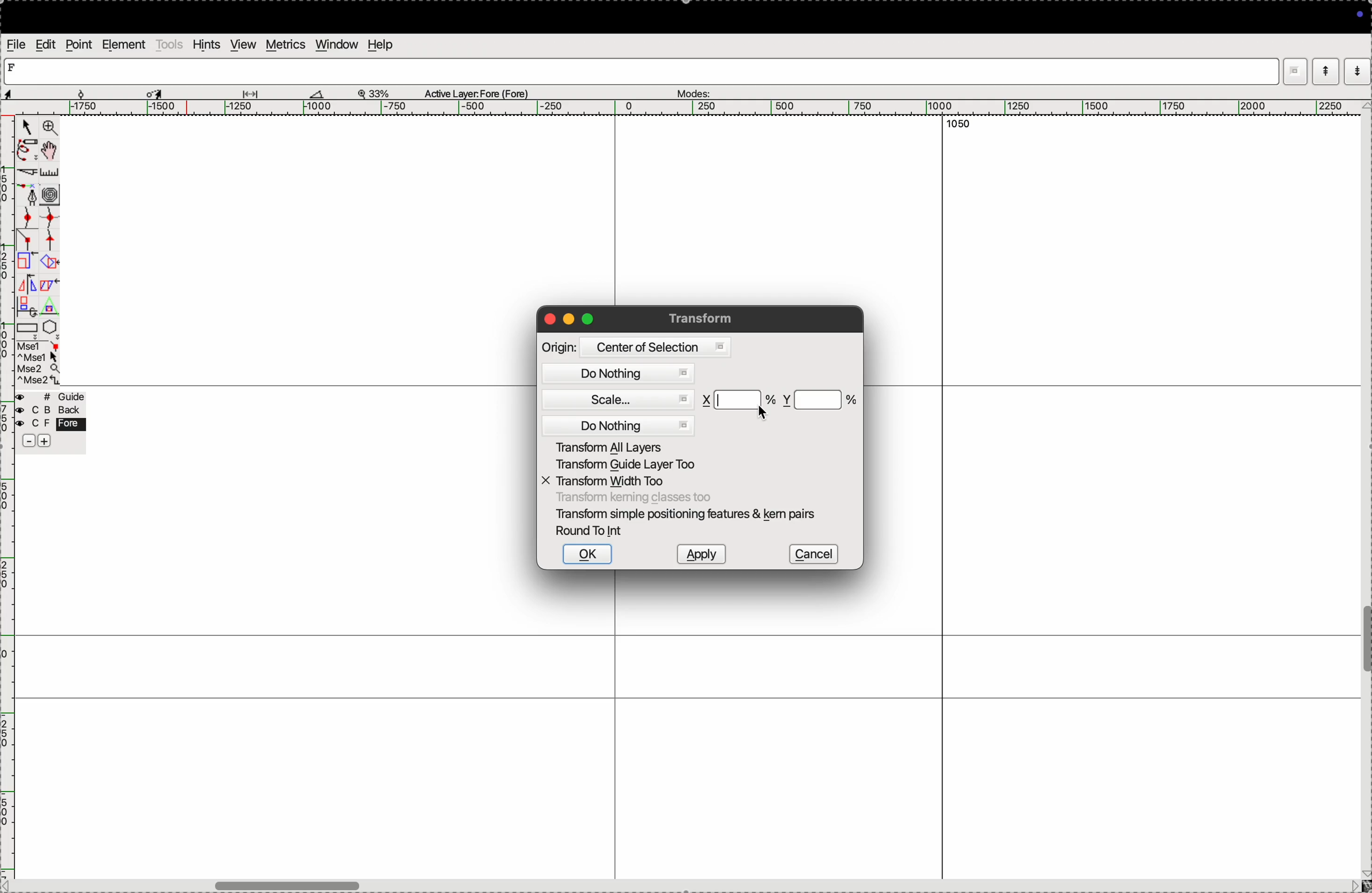 The height and width of the screenshot is (893, 1372). Describe the element at coordinates (337, 44) in the screenshot. I see `window` at that location.